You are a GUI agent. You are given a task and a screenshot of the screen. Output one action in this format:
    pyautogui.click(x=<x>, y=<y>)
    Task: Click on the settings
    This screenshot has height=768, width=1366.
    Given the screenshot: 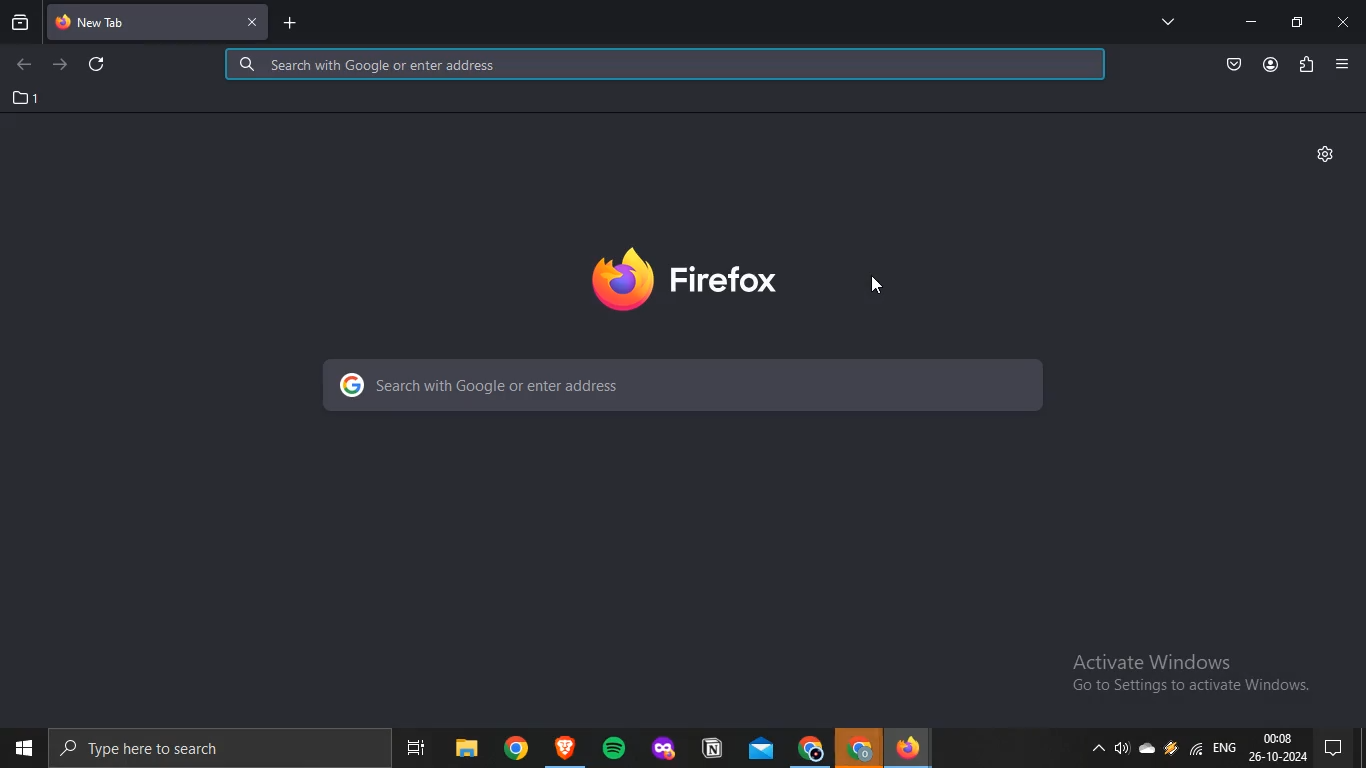 What is the action you would take?
    pyautogui.click(x=1326, y=153)
    